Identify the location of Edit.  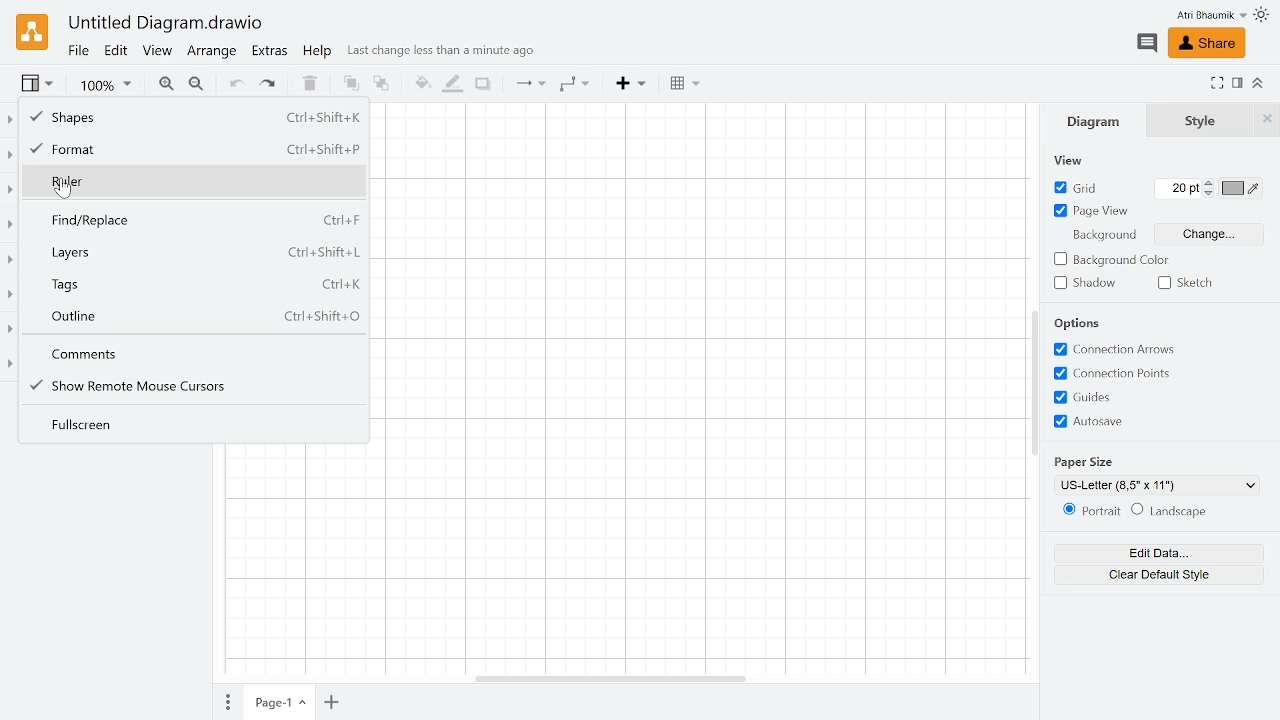
(115, 52).